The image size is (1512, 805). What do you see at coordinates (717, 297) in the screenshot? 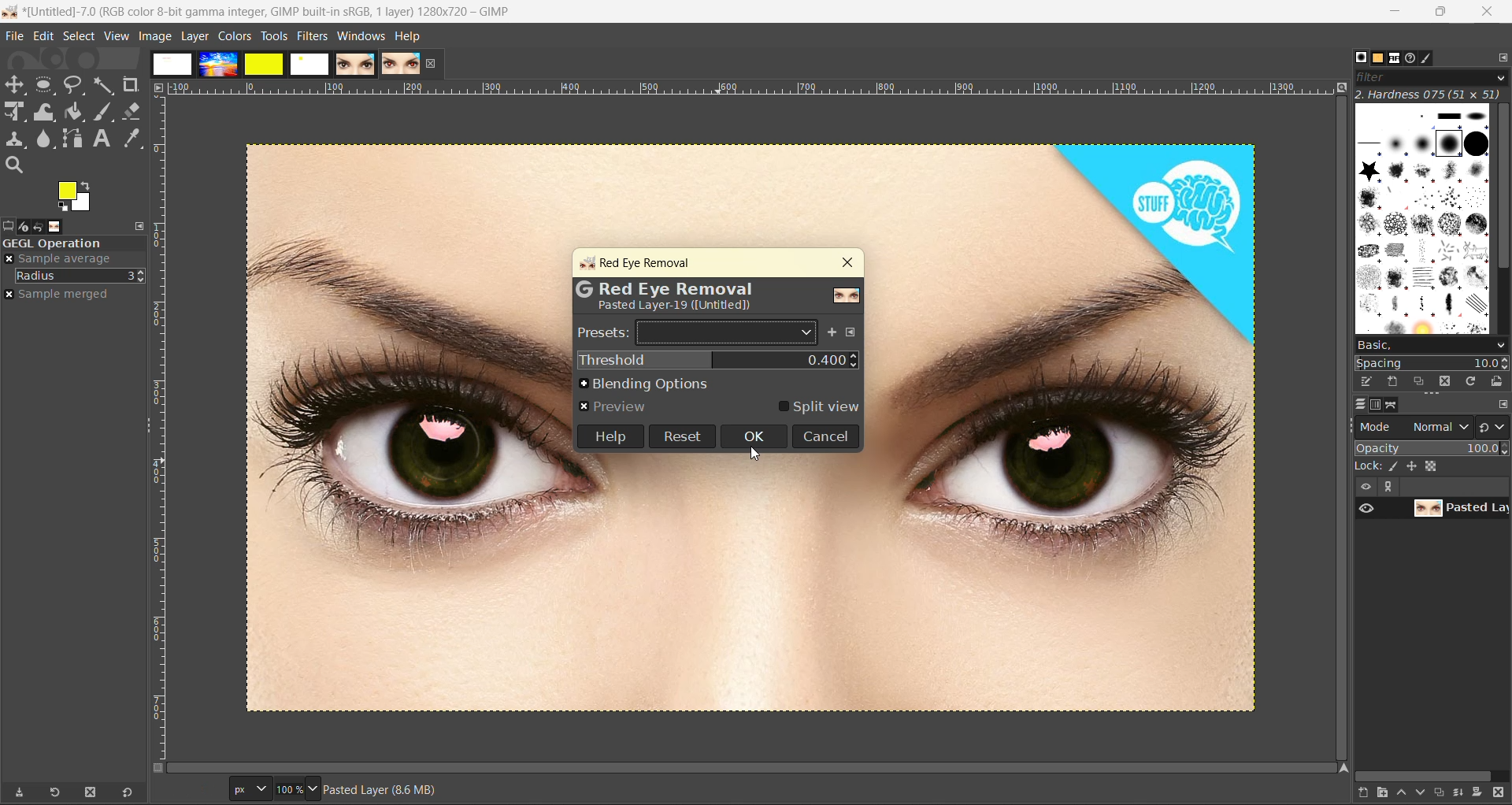
I see `metadata` at bounding box center [717, 297].